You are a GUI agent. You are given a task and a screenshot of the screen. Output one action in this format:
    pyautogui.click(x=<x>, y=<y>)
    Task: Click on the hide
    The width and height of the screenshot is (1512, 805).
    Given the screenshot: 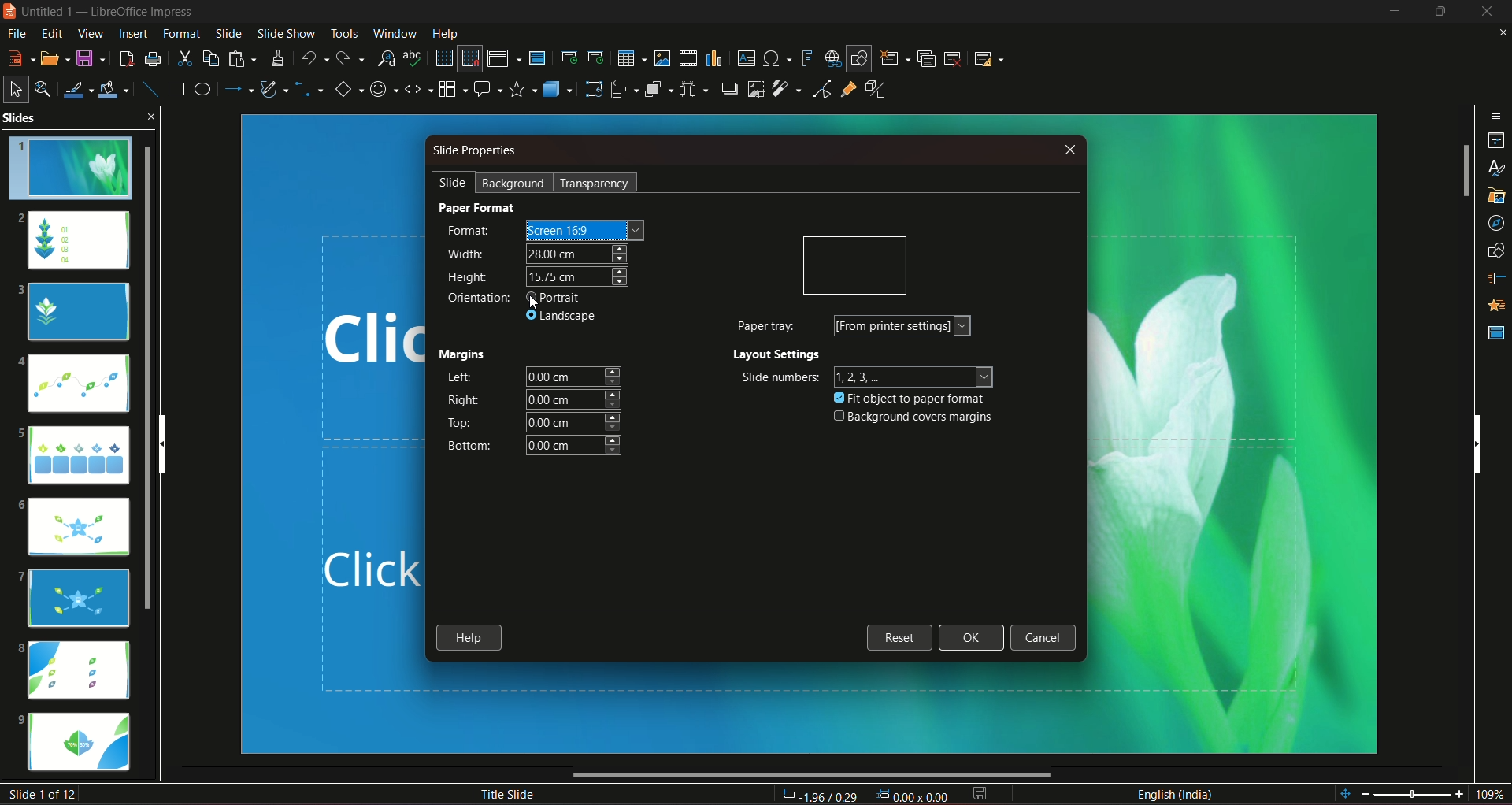 What is the action you would take?
    pyautogui.click(x=1437, y=12)
    